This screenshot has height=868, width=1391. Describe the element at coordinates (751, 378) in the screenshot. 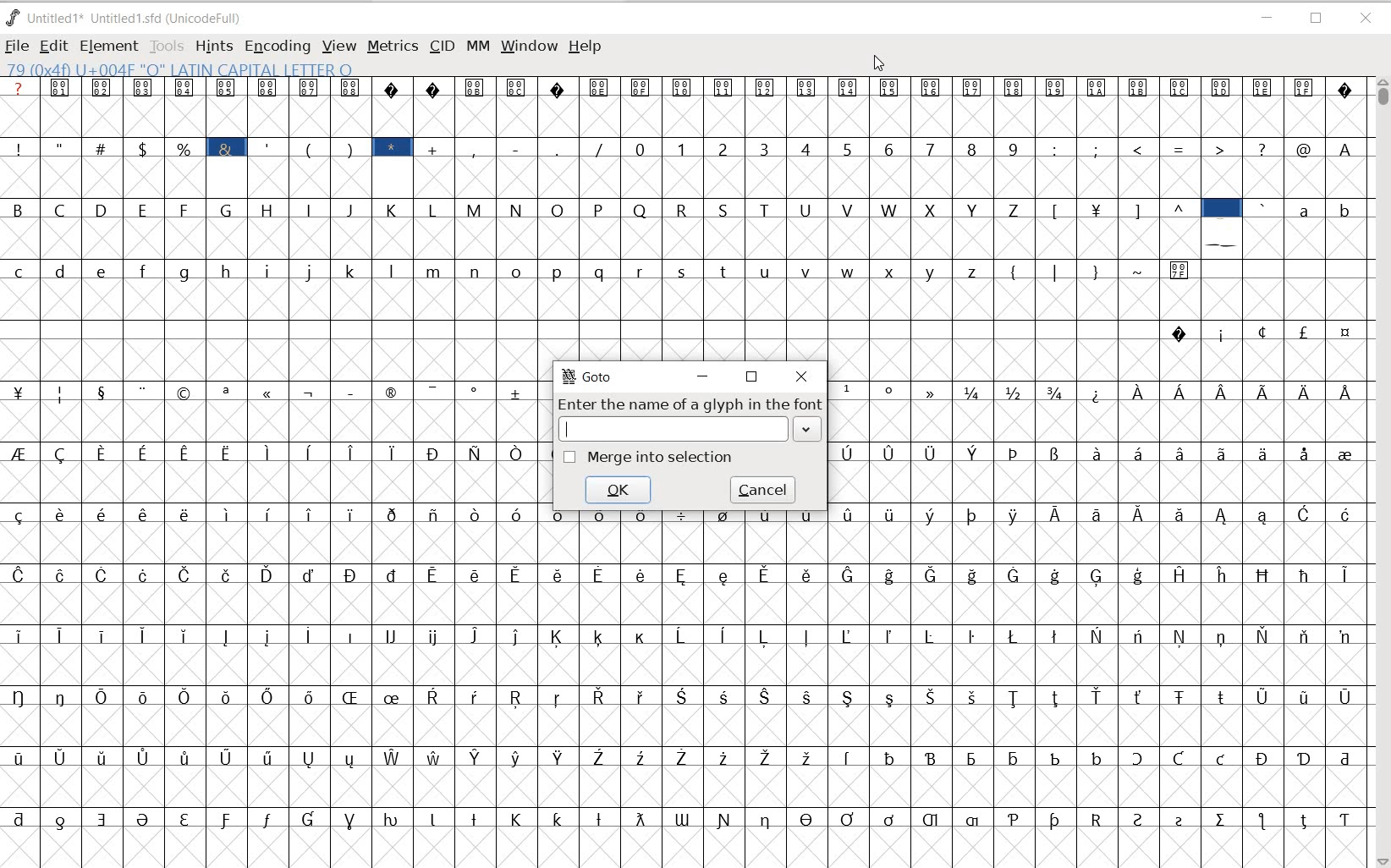

I see `restore` at that location.